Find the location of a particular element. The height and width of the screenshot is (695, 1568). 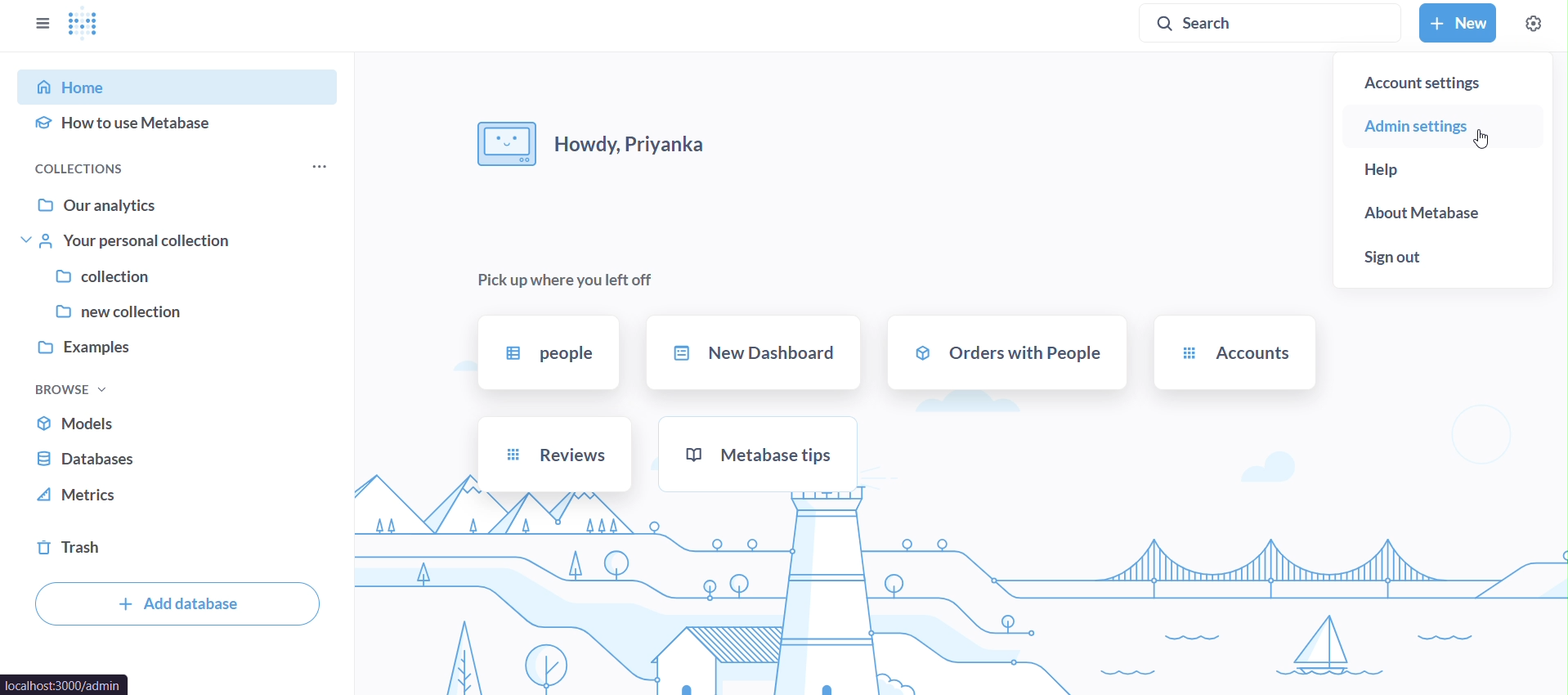

how to use metabase is located at coordinates (181, 128).